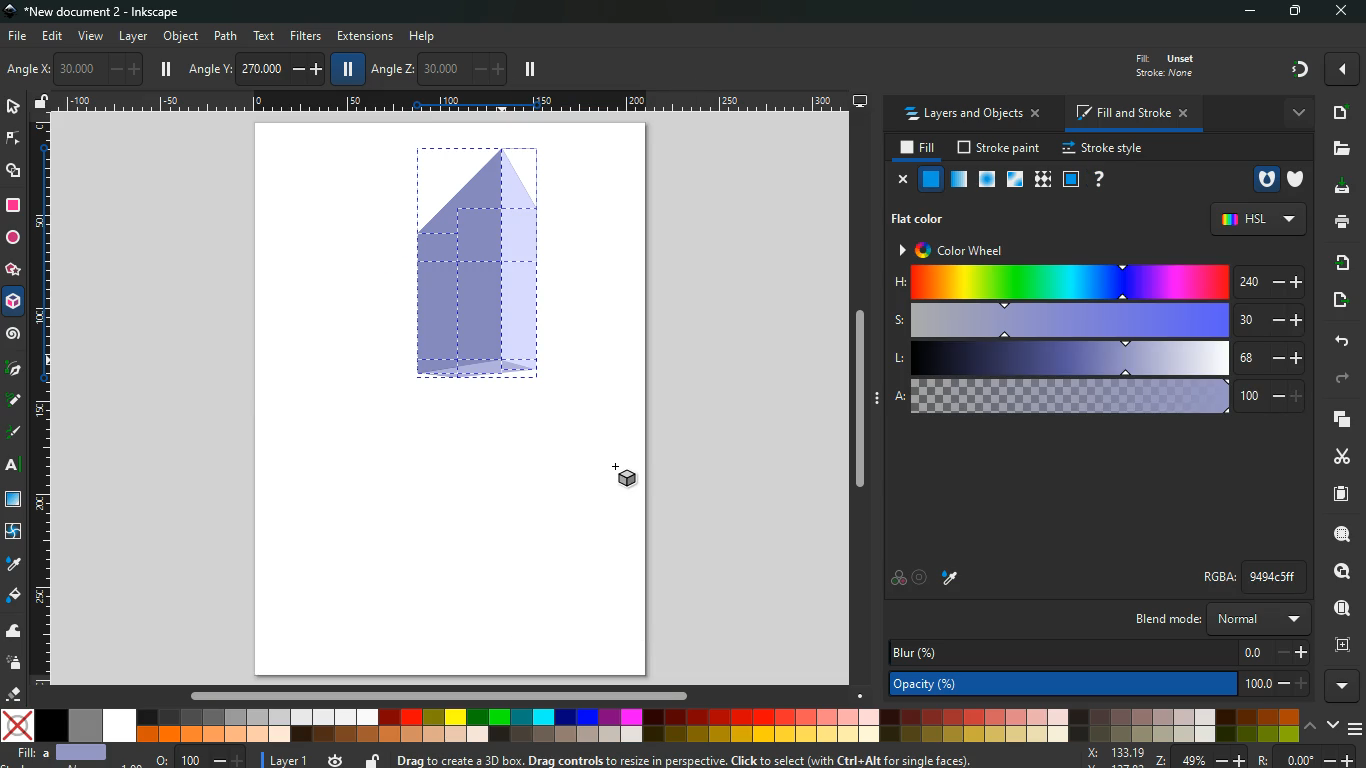 This screenshot has width=1366, height=768. Describe the element at coordinates (1257, 219) in the screenshot. I see `hsl` at that location.